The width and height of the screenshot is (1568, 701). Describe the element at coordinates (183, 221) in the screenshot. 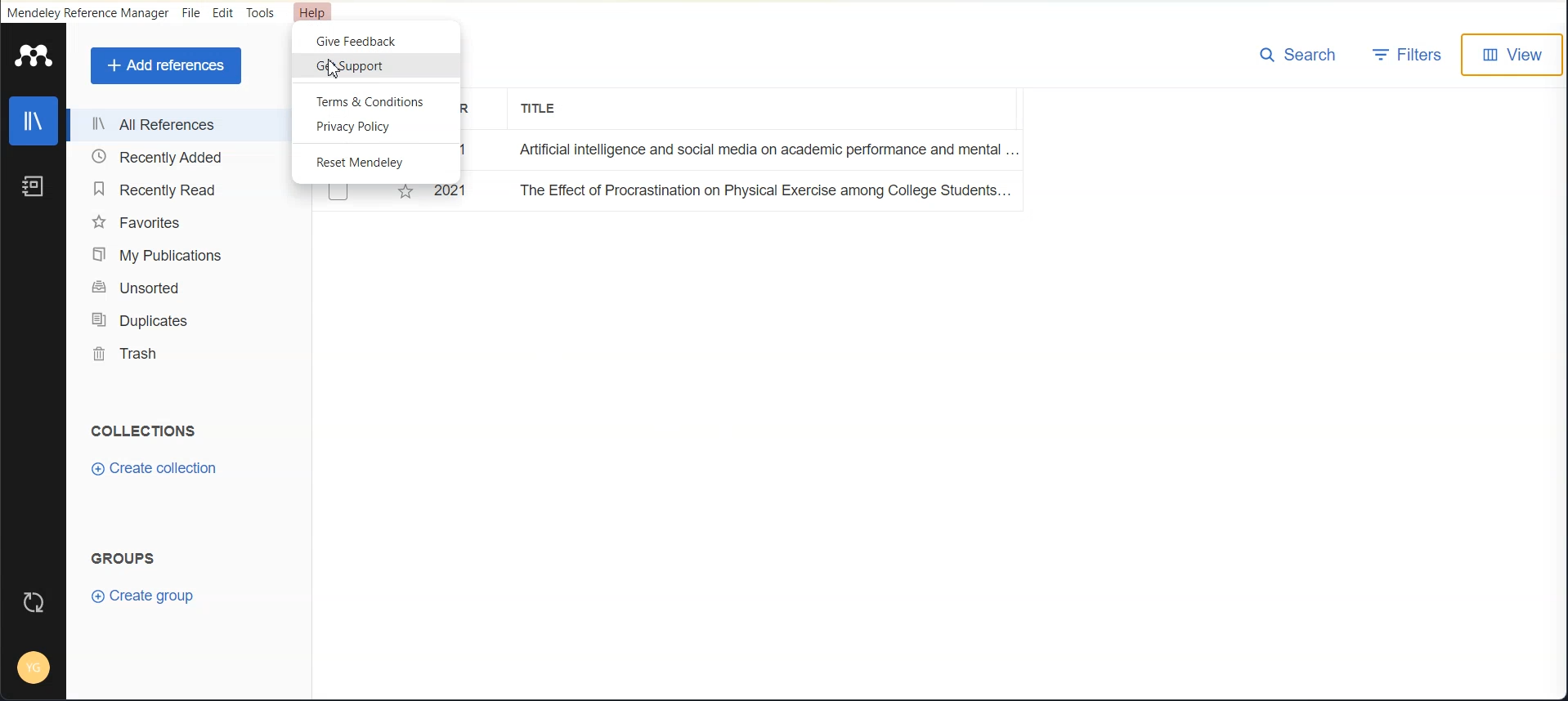

I see `Favorites` at that location.